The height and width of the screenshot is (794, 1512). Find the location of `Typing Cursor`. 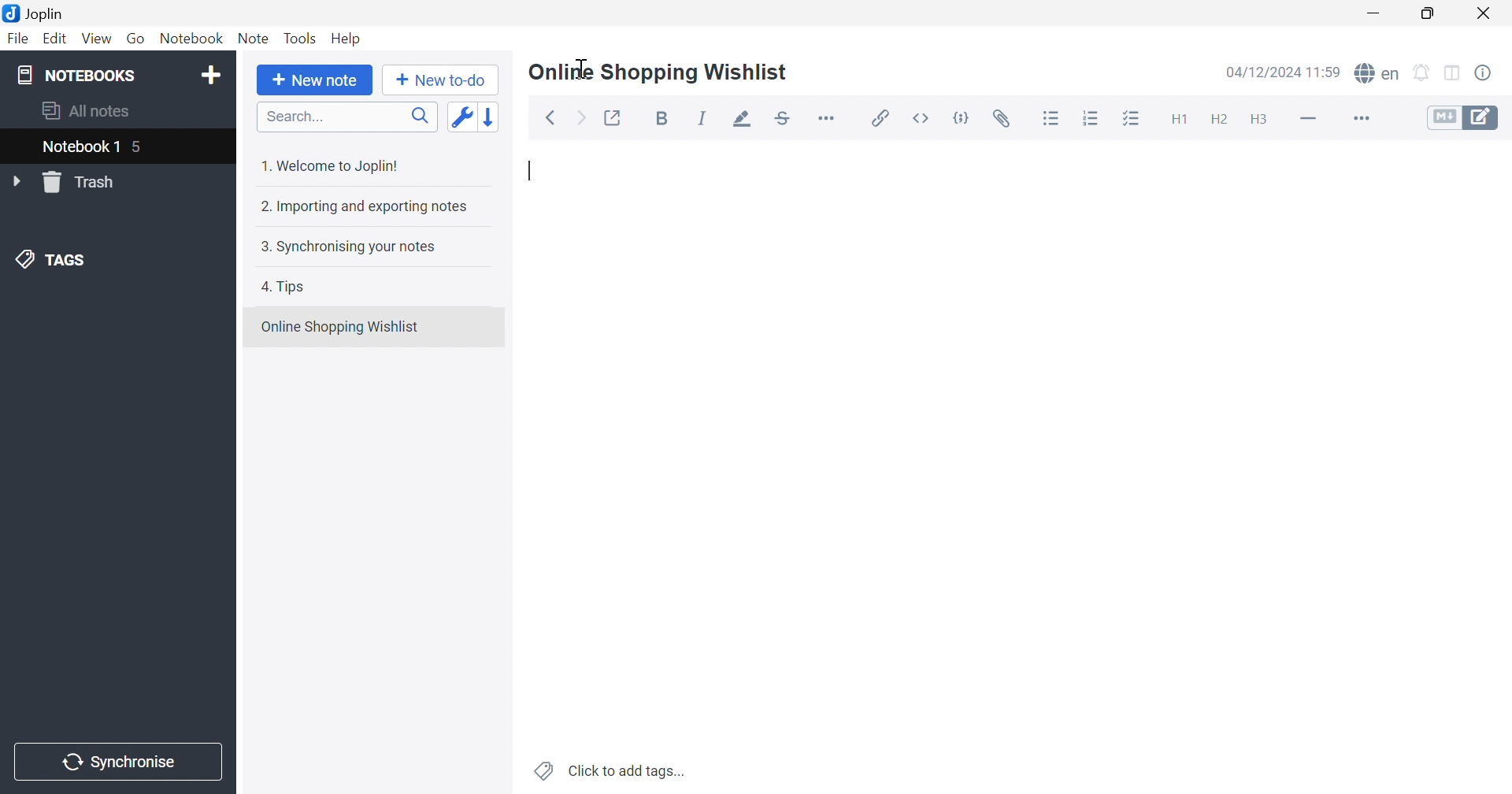

Typing Cursor is located at coordinates (584, 68).